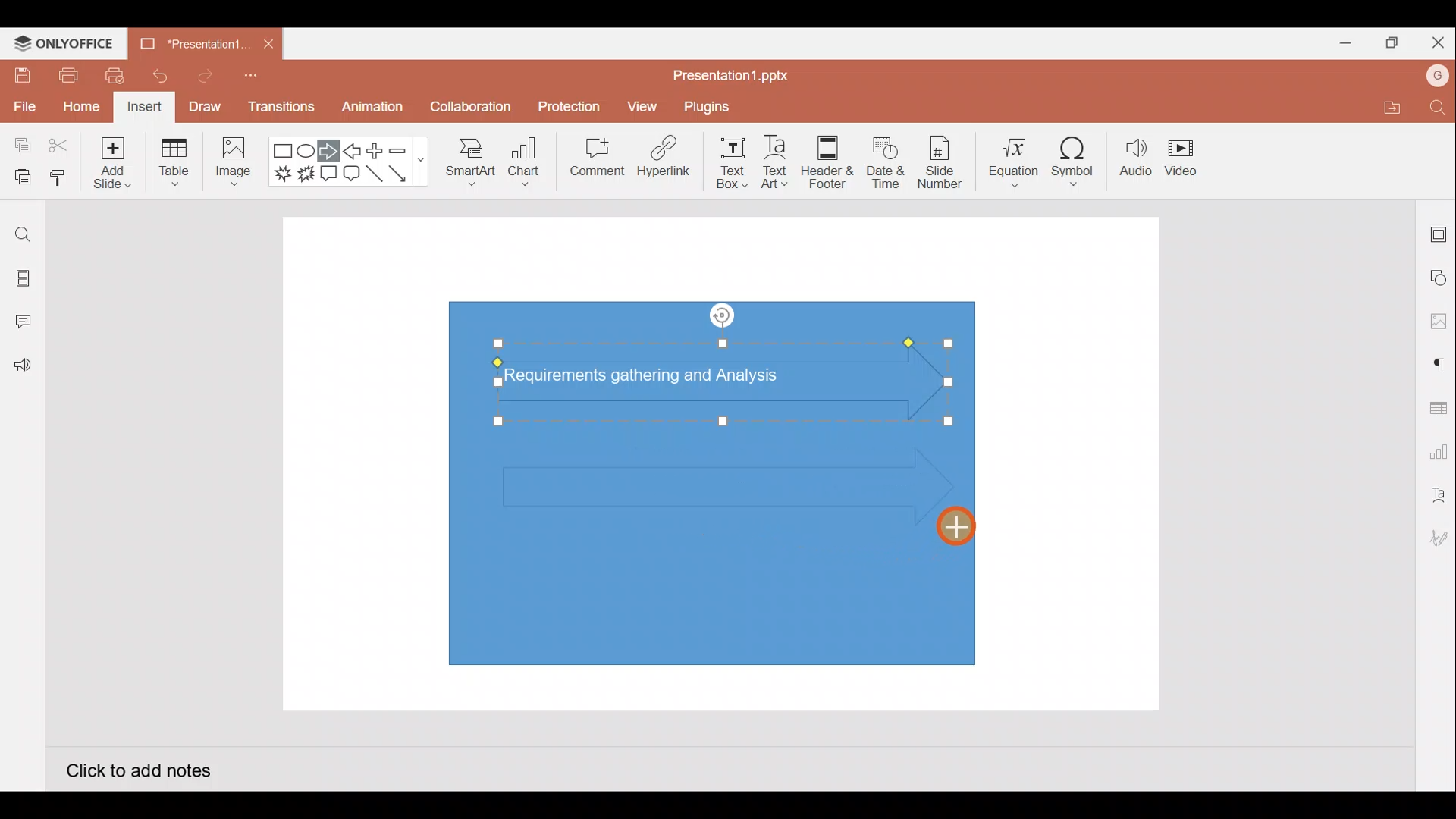  Describe the element at coordinates (110, 76) in the screenshot. I see `Quick print` at that location.